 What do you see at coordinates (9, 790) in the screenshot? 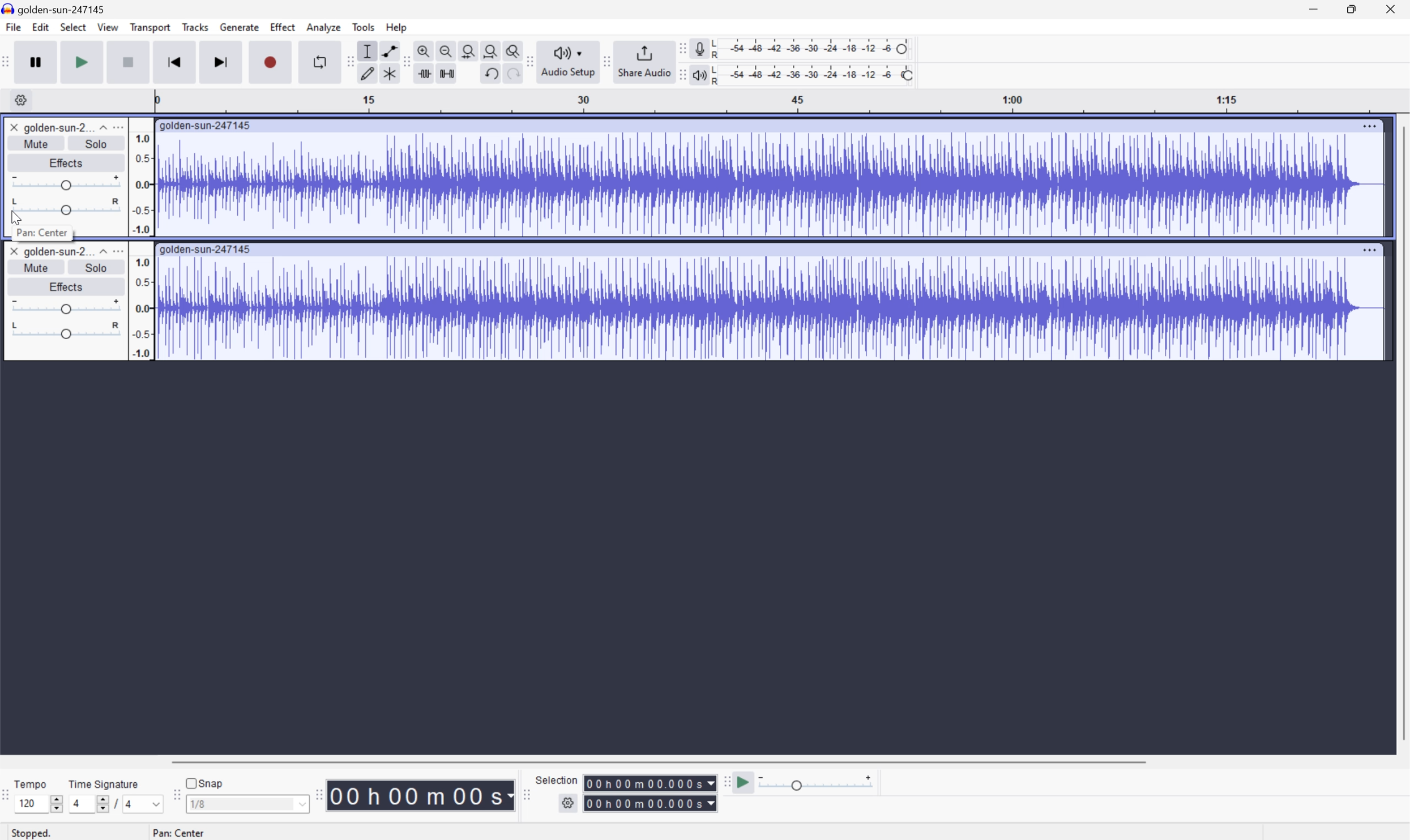
I see `Audacity Time signature toolbar` at bounding box center [9, 790].